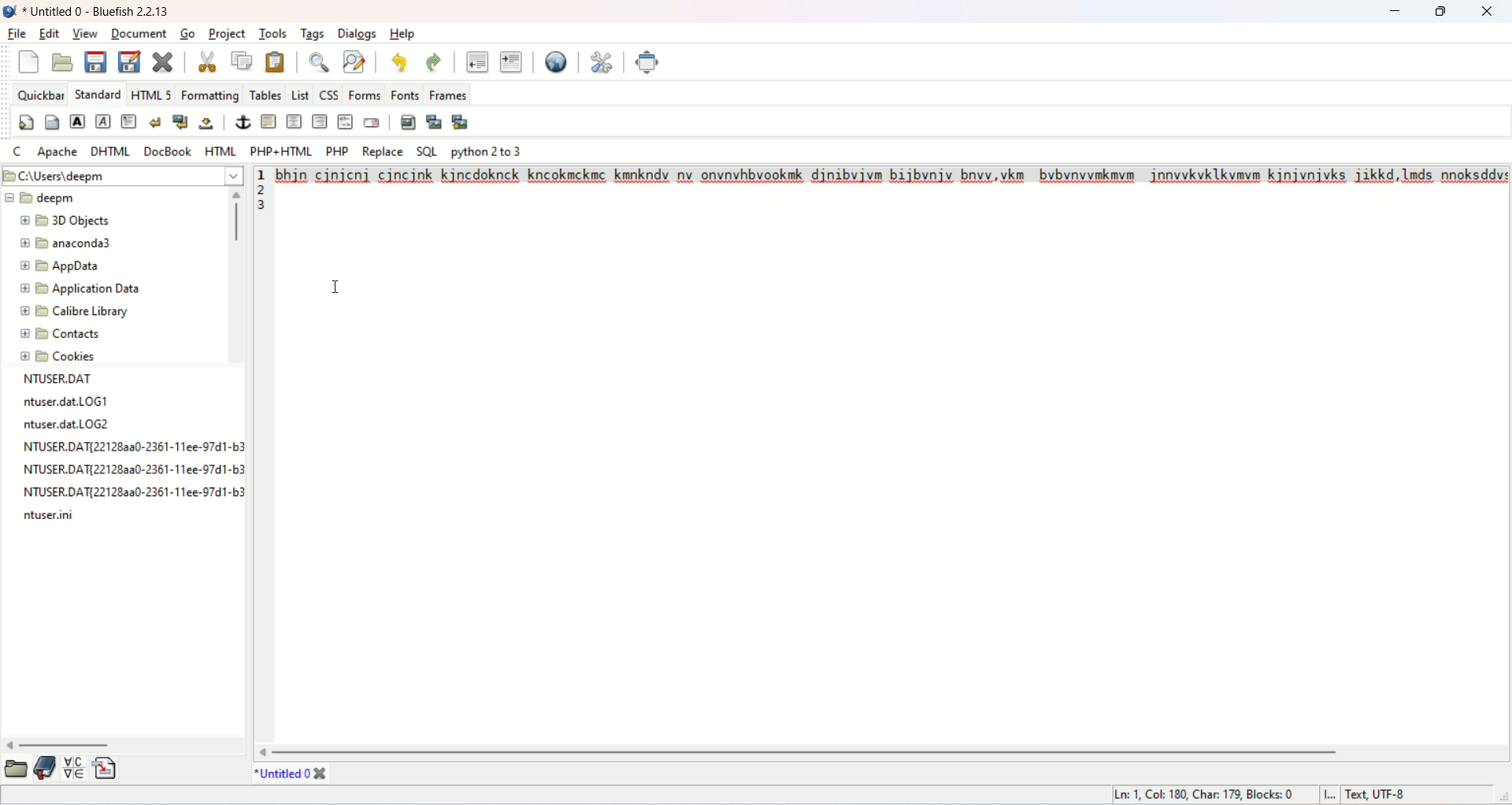 The width and height of the screenshot is (1512, 805). What do you see at coordinates (46, 771) in the screenshot?
I see `documentation` at bounding box center [46, 771].